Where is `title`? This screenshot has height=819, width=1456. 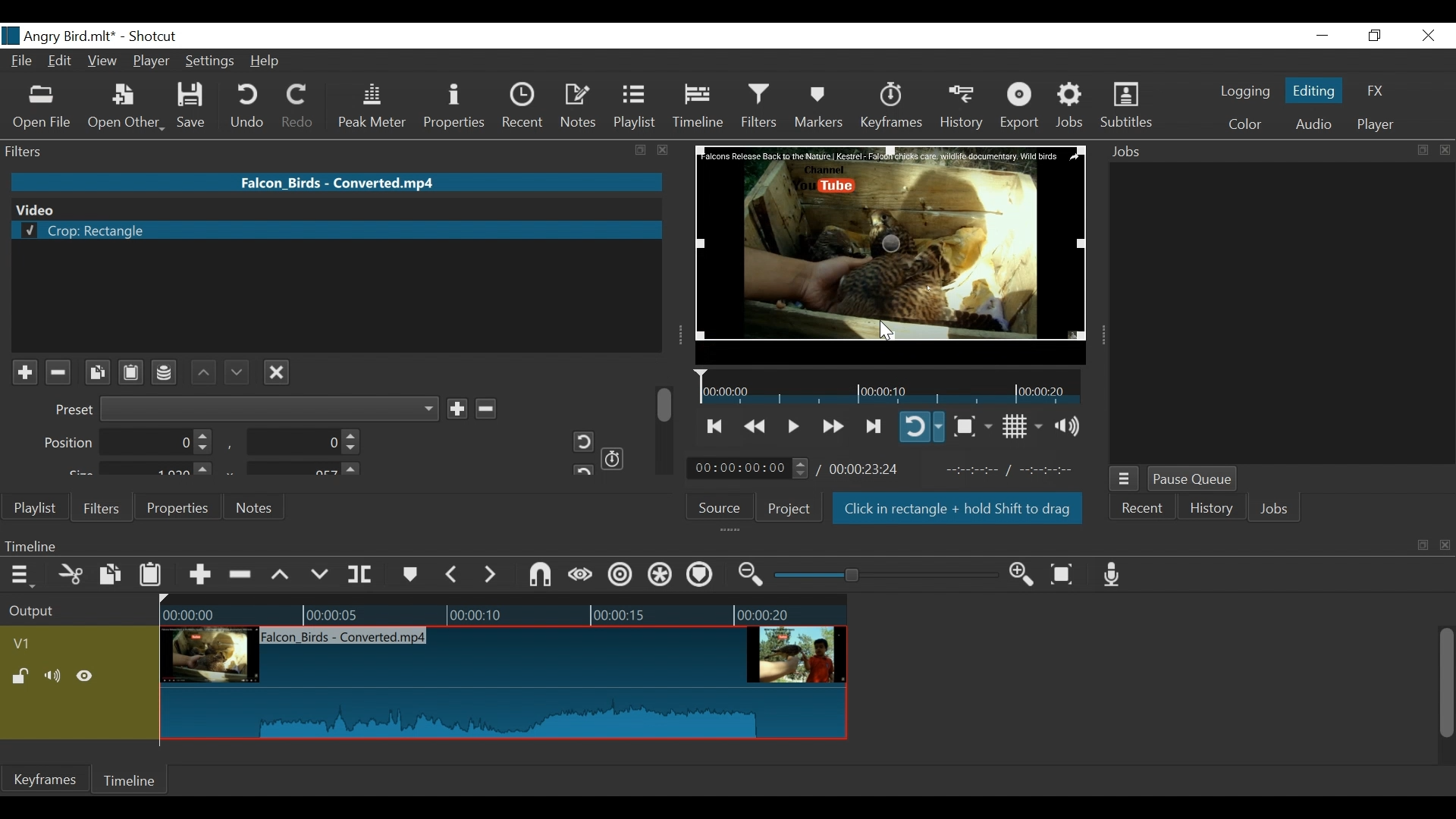
title is located at coordinates (112, 35).